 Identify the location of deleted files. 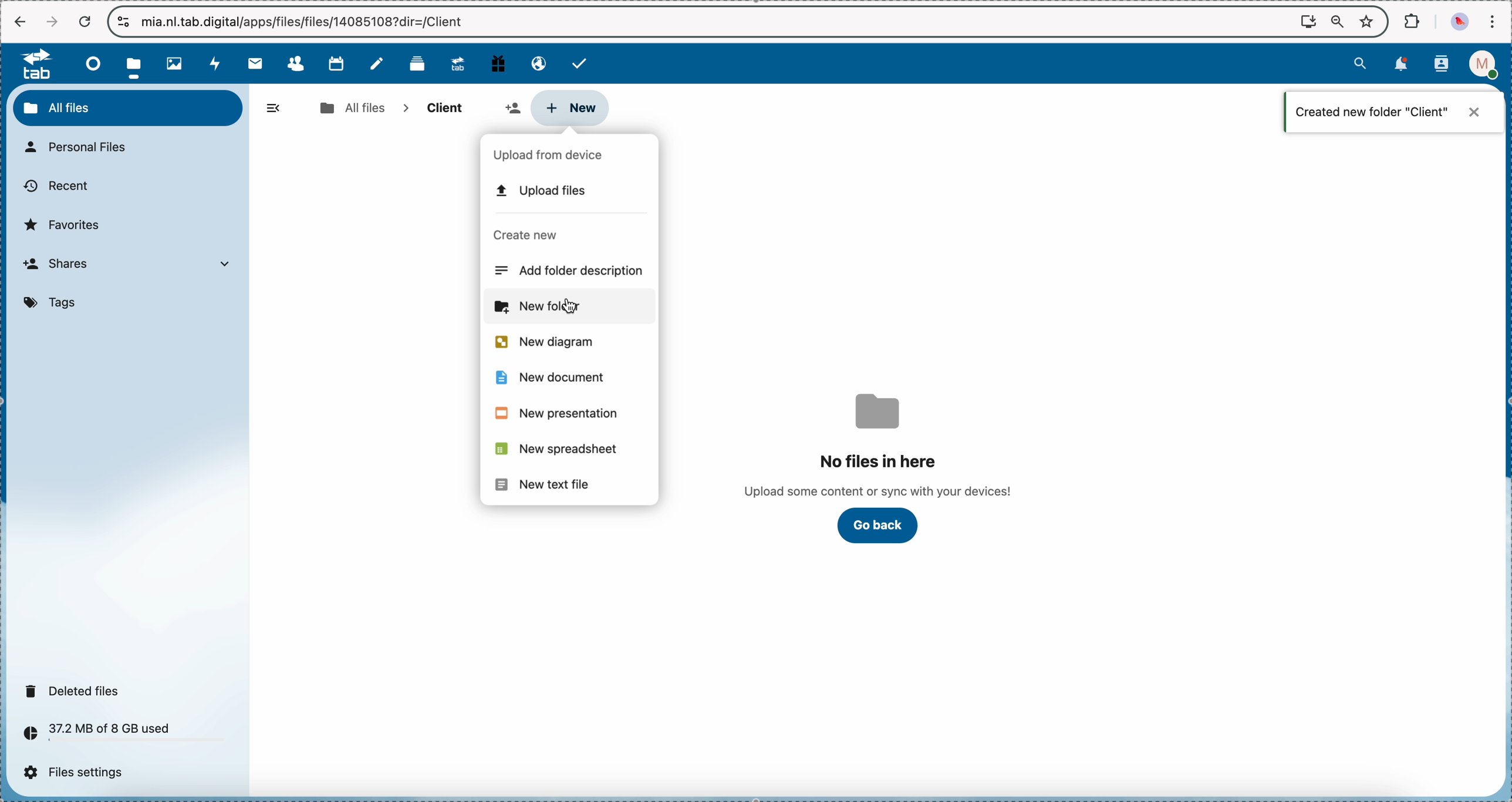
(76, 690).